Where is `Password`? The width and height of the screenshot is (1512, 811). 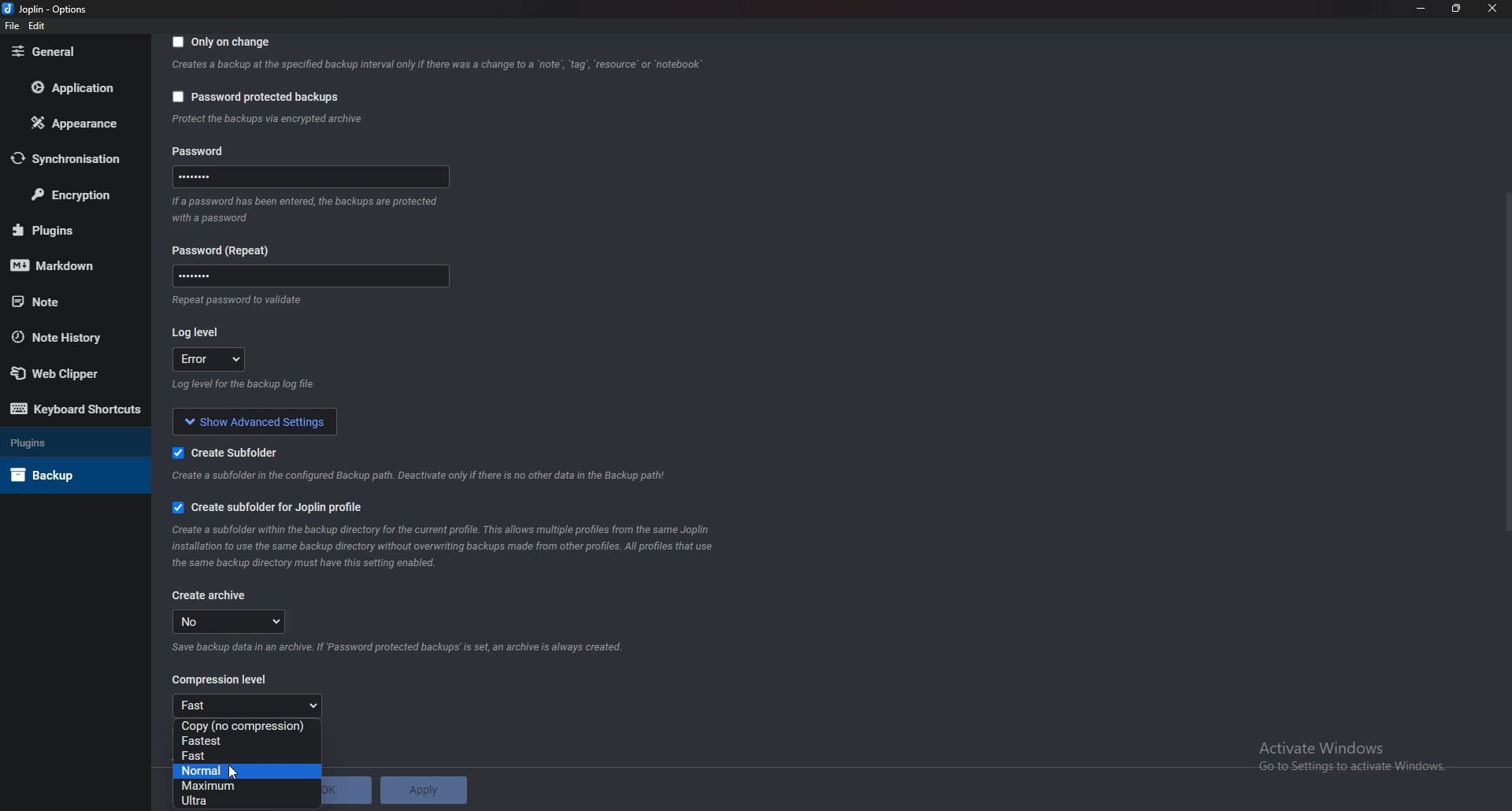
Password is located at coordinates (222, 150).